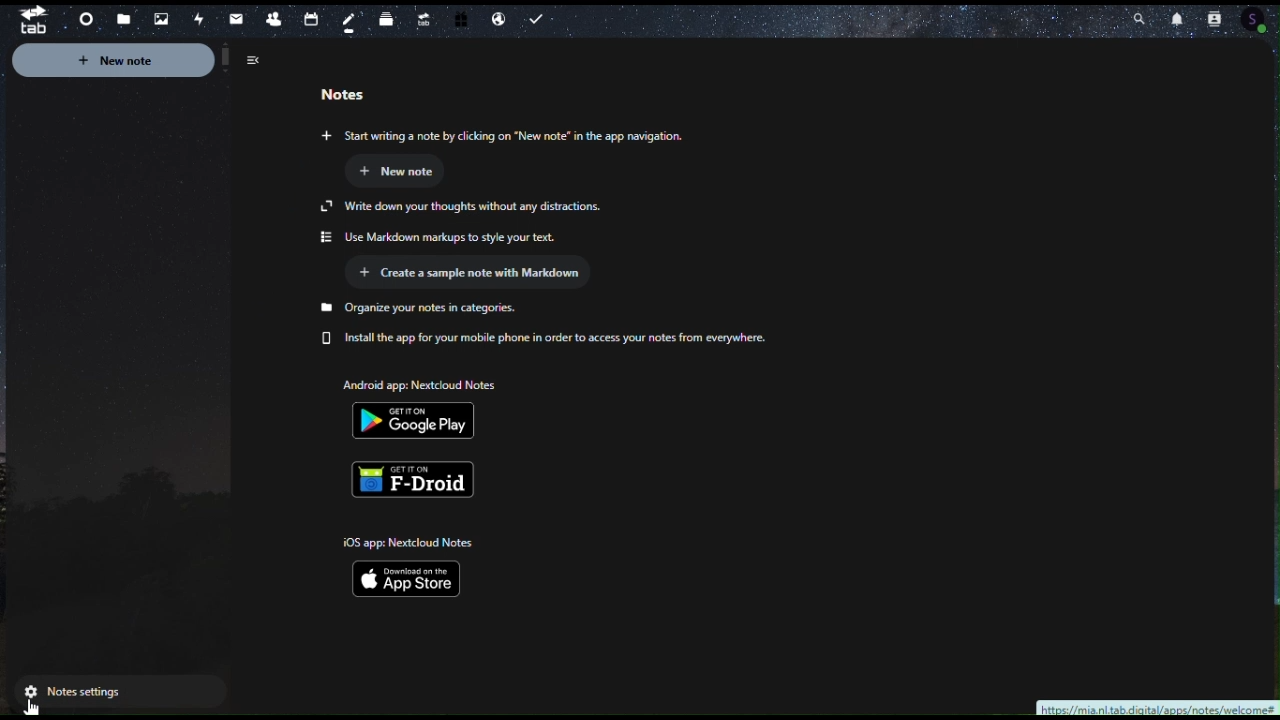 Image resolution: width=1280 pixels, height=720 pixels. I want to click on Dashboard, so click(83, 21).